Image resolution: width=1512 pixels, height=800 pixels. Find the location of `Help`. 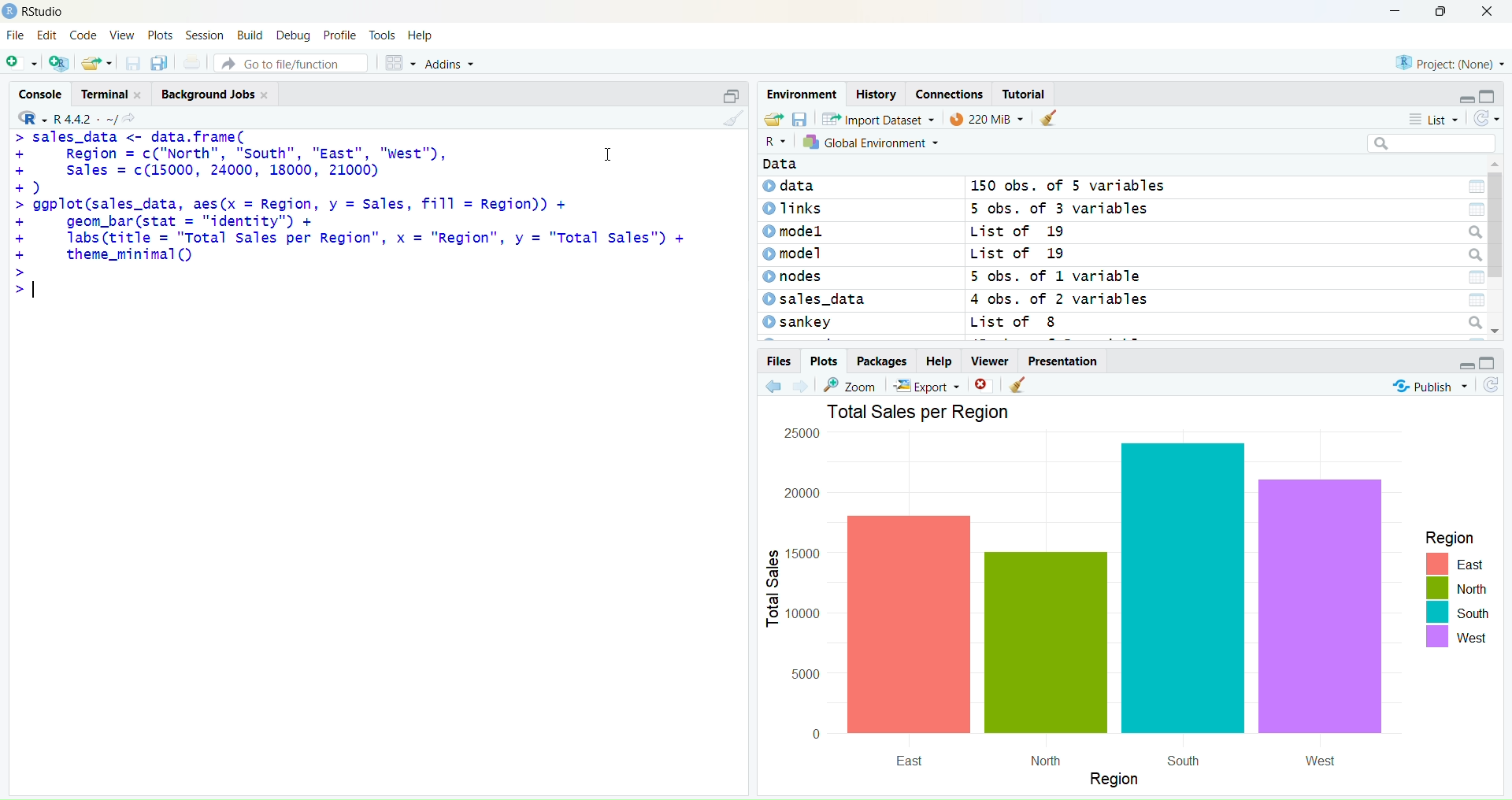

Help is located at coordinates (939, 361).